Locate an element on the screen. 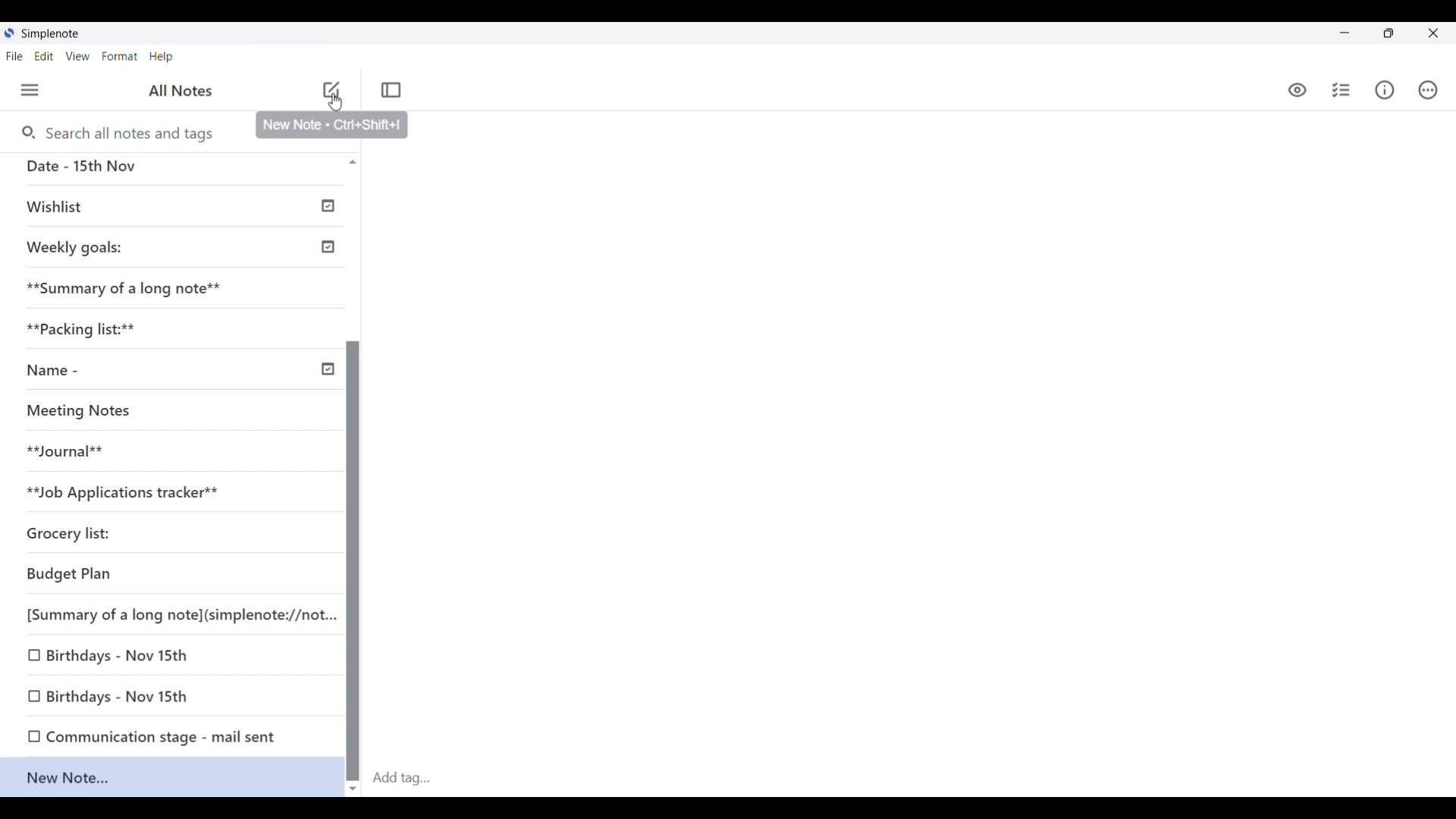 The width and height of the screenshot is (1456, 819). timeline is located at coordinates (329, 370).